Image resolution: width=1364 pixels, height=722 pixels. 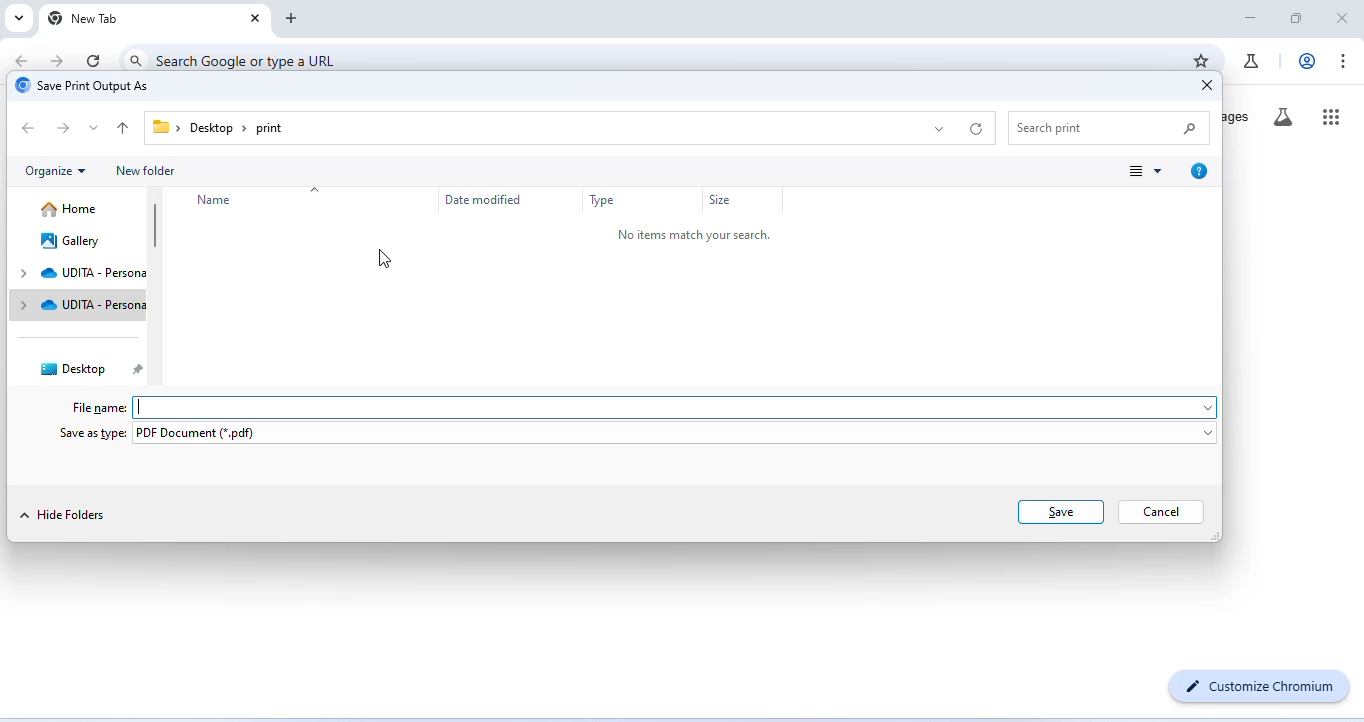 I want to click on new folder, so click(x=148, y=171).